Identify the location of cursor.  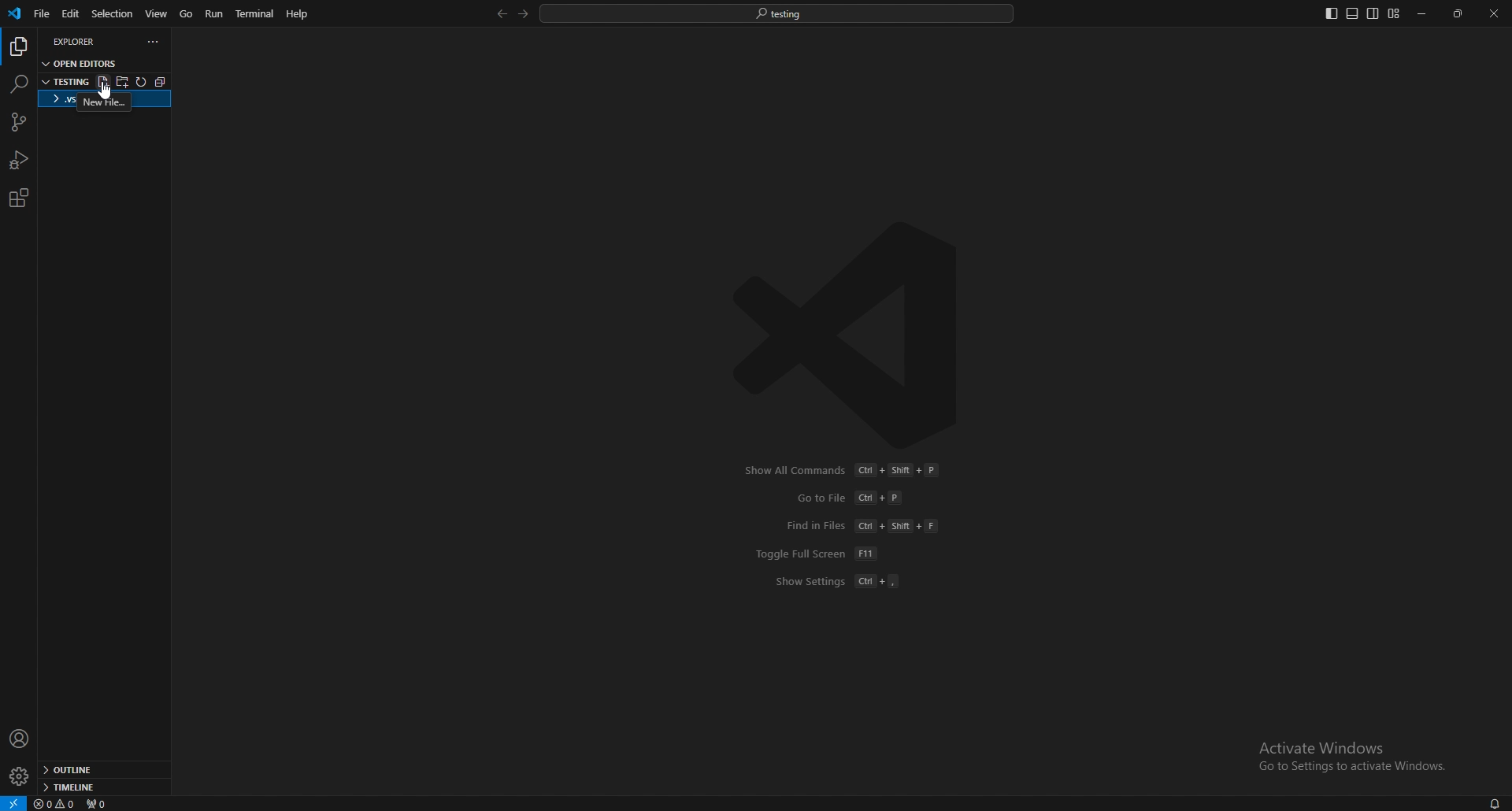
(107, 93).